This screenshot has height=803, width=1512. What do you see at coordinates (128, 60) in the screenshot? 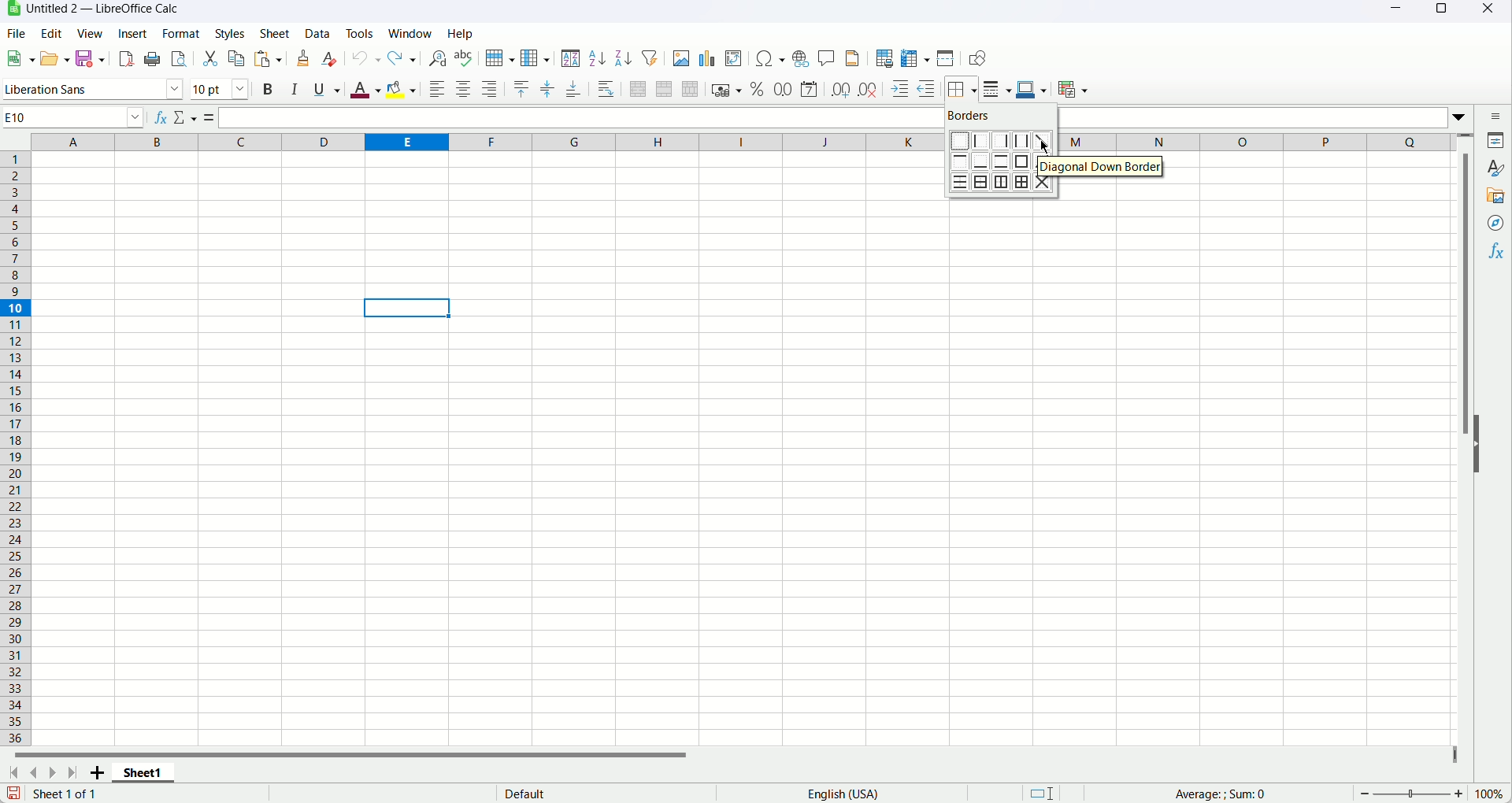
I see `Export directly as pdf` at bounding box center [128, 60].